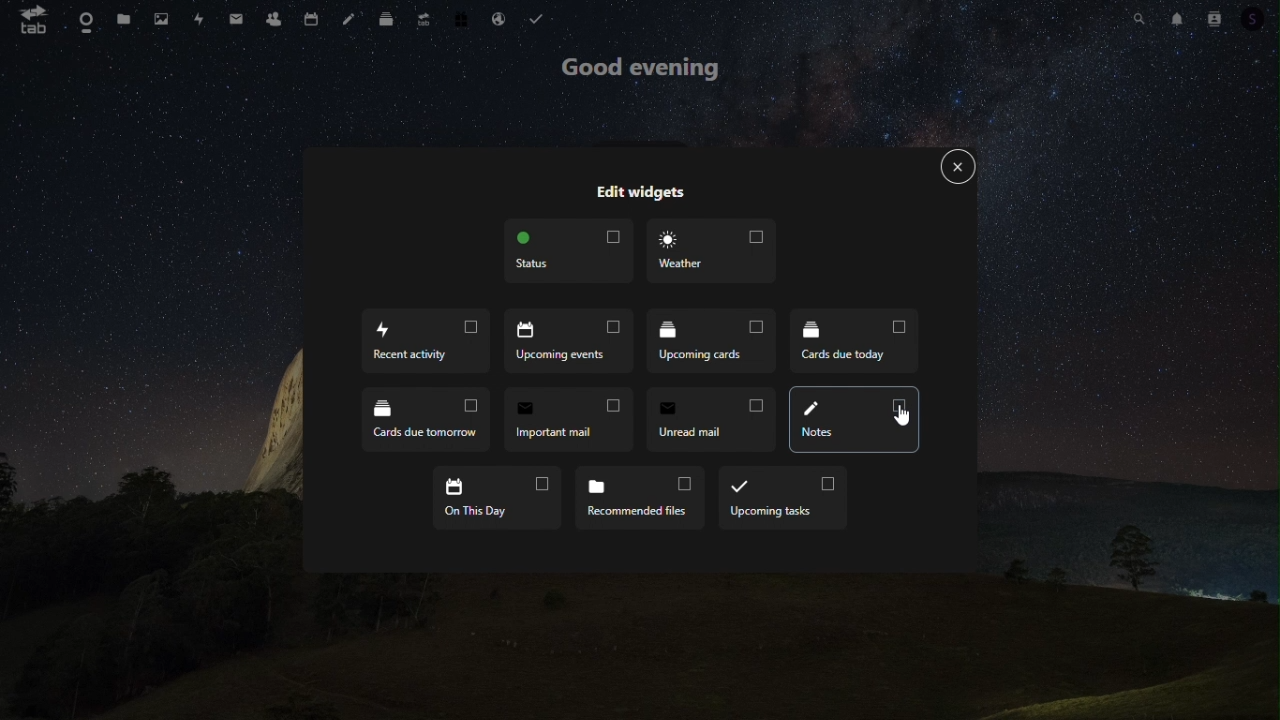  Describe the element at coordinates (775, 499) in the screenshot. I see `upcoming tasks` at that location.